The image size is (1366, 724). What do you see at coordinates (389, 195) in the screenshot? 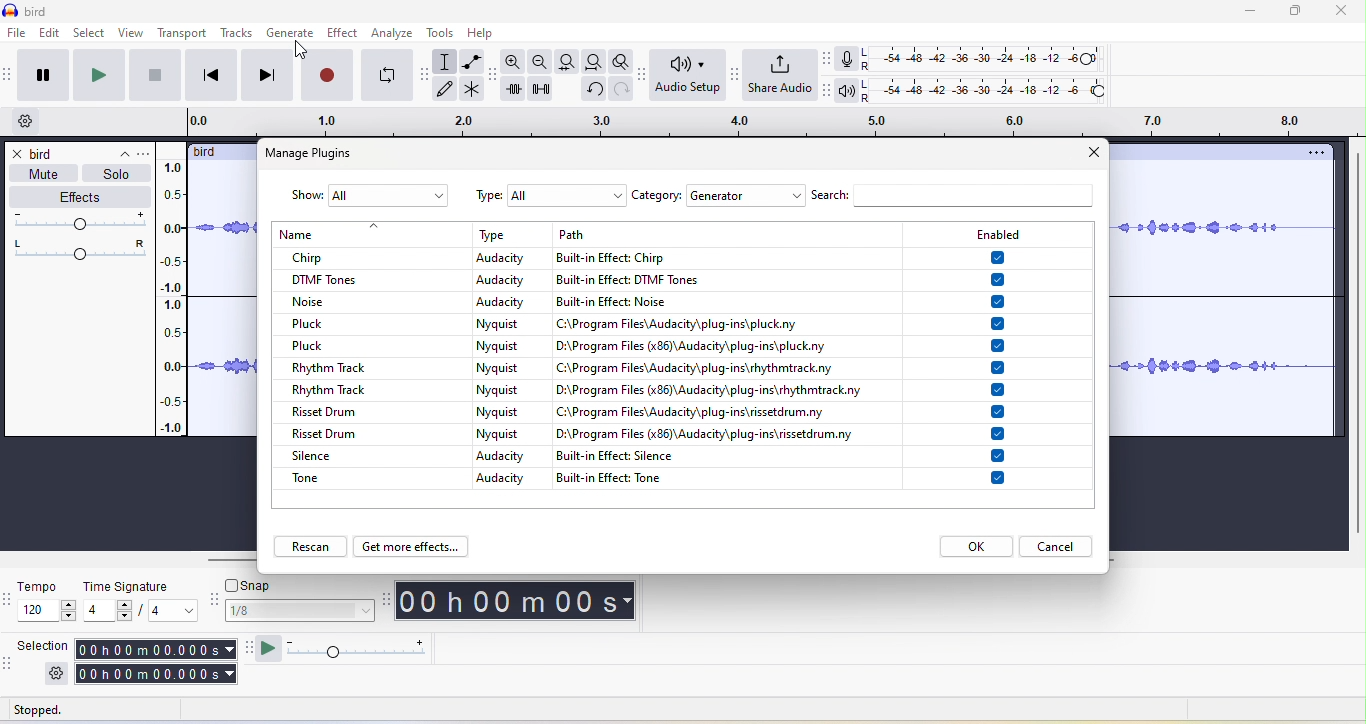
I see `all` at bounding box center [389, 195].